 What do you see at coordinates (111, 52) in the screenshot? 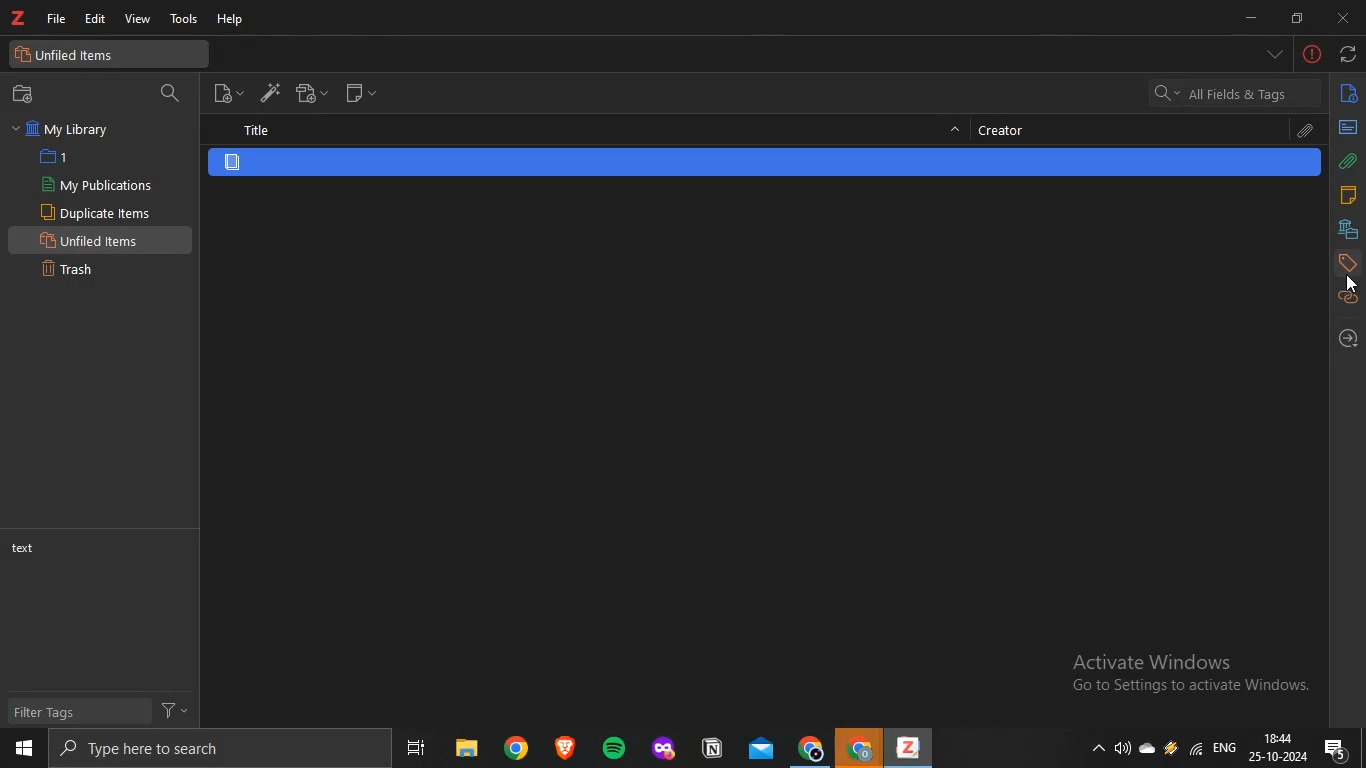
I see `unfiled items` at bounding box center [111, 52].